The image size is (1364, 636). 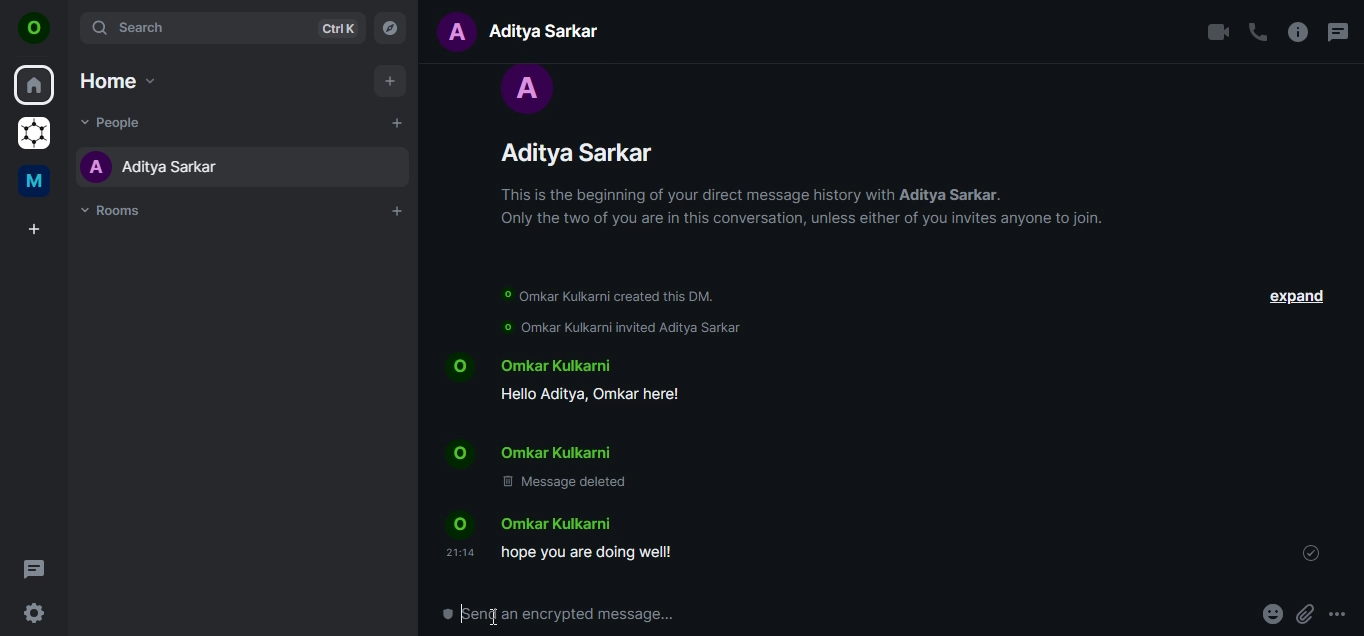 I want to click on omkar kulkarni created this DM, so click(x=618, y=296).